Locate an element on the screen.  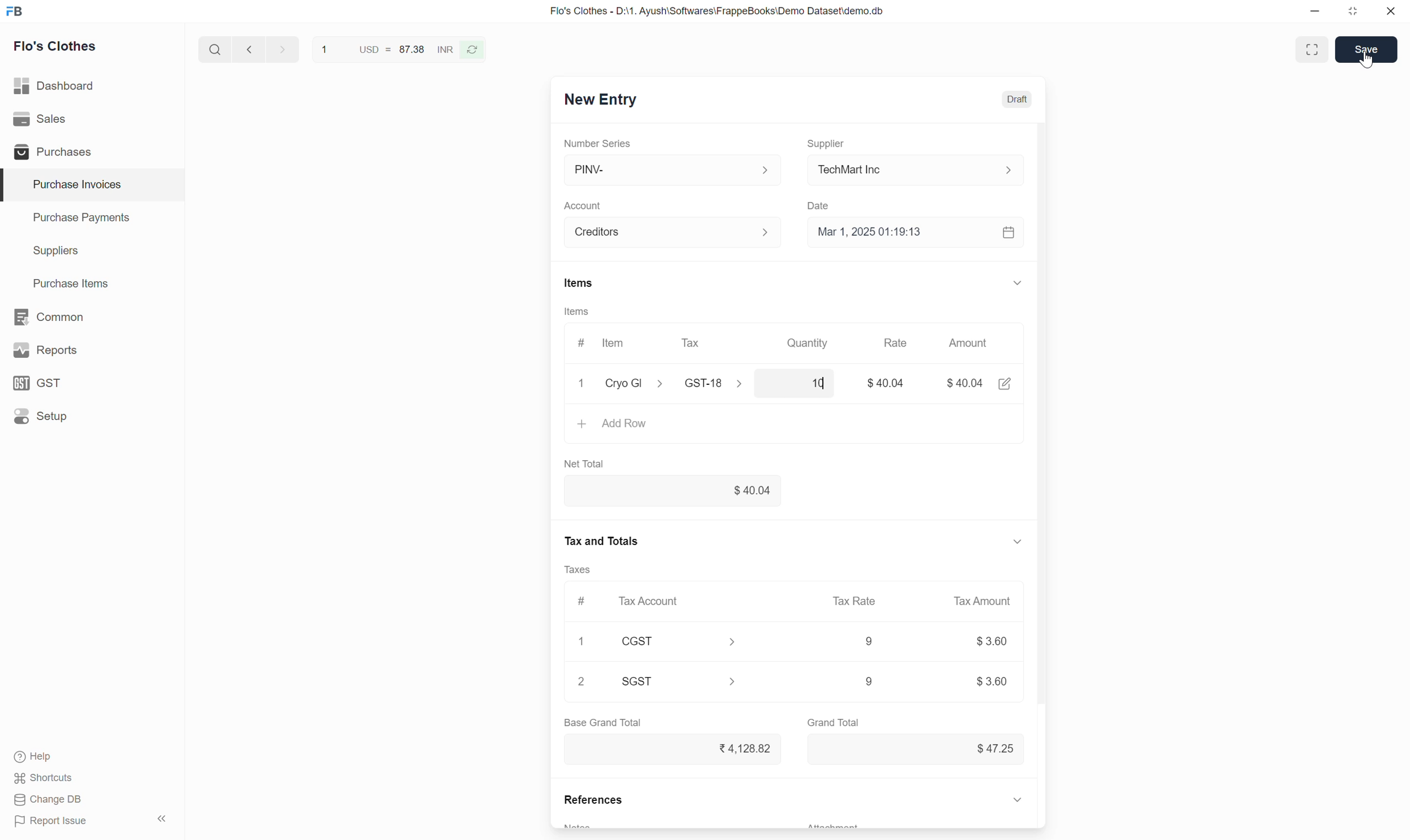
Items is located at coordinates (576, 311).